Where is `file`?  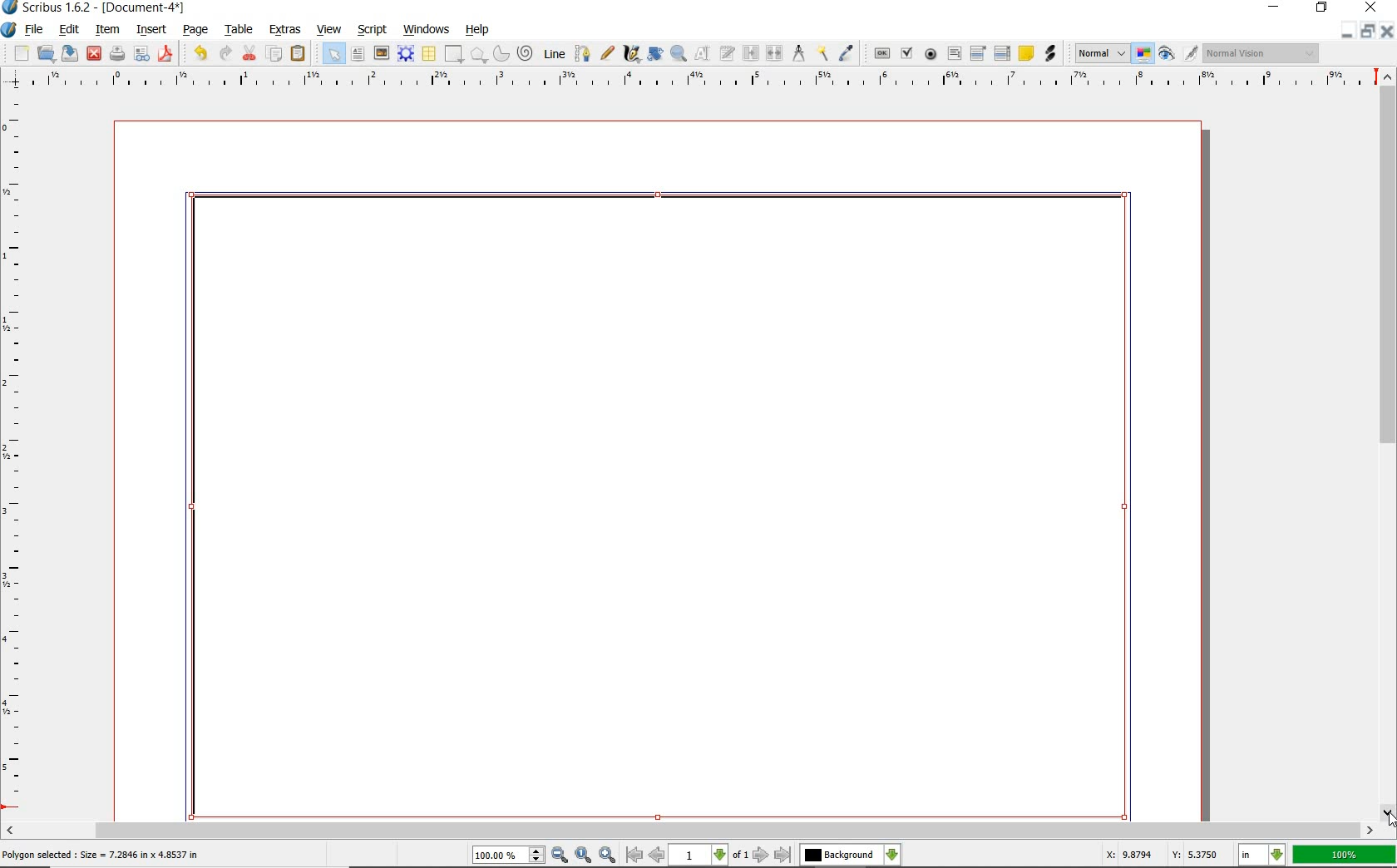
file is located at coordinates (36, 31).